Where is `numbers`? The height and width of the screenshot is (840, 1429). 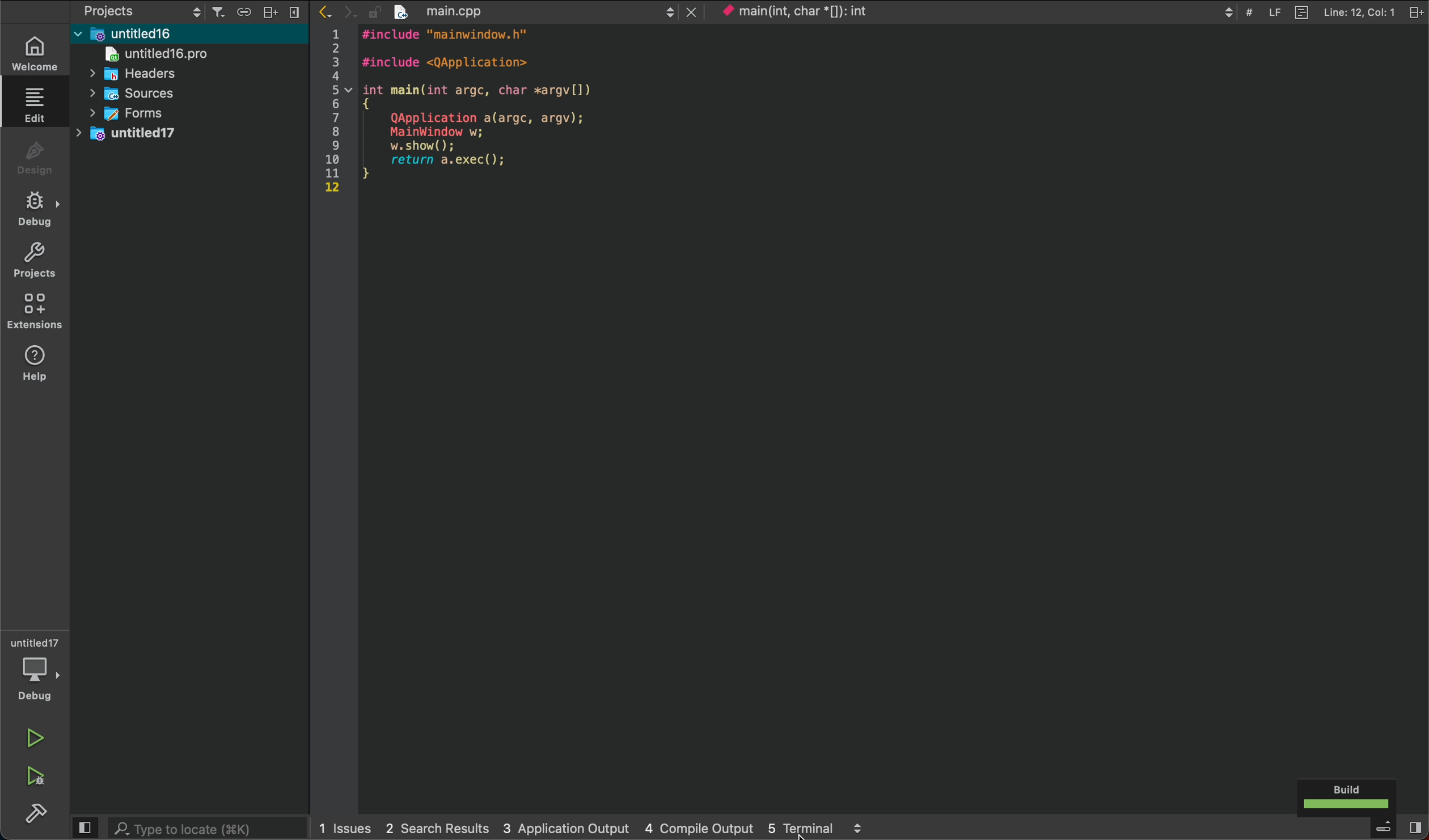 numbers is located at coordinates (332, 113).